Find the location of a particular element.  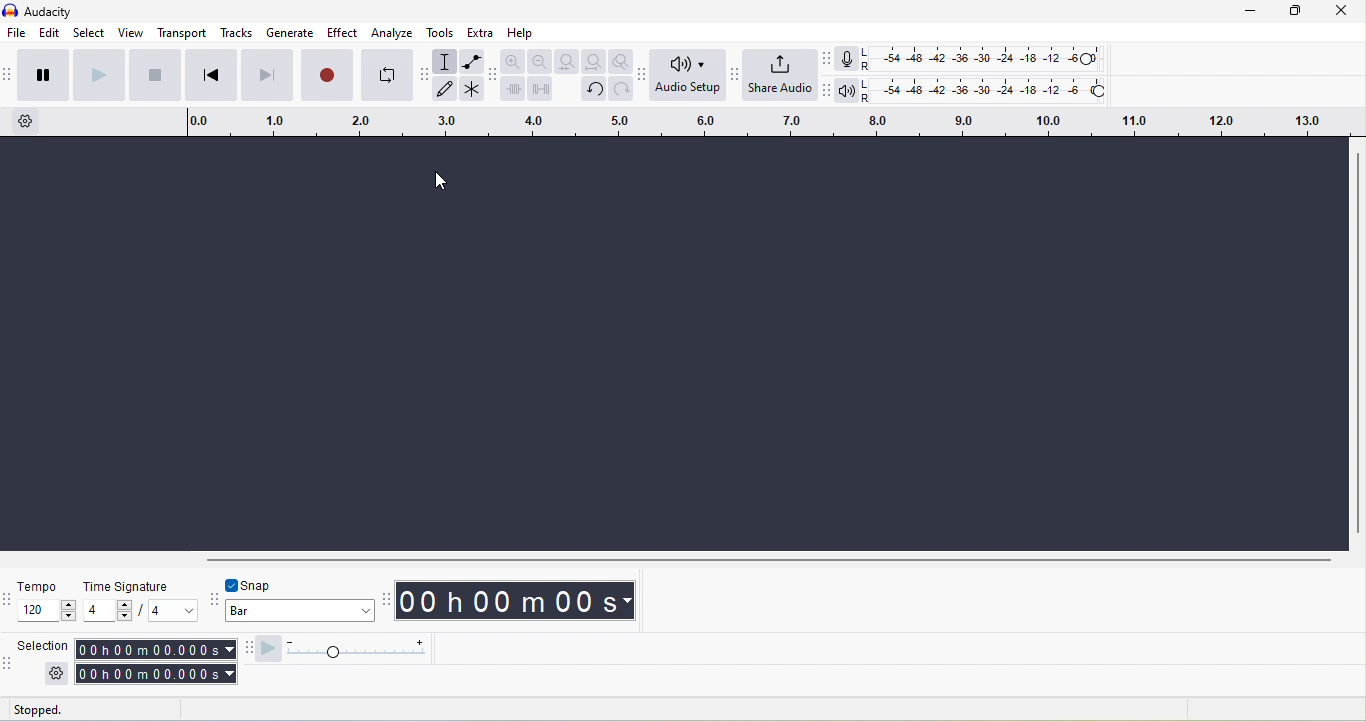

audacity snapping toolbar is located at coordinates (216, 598).